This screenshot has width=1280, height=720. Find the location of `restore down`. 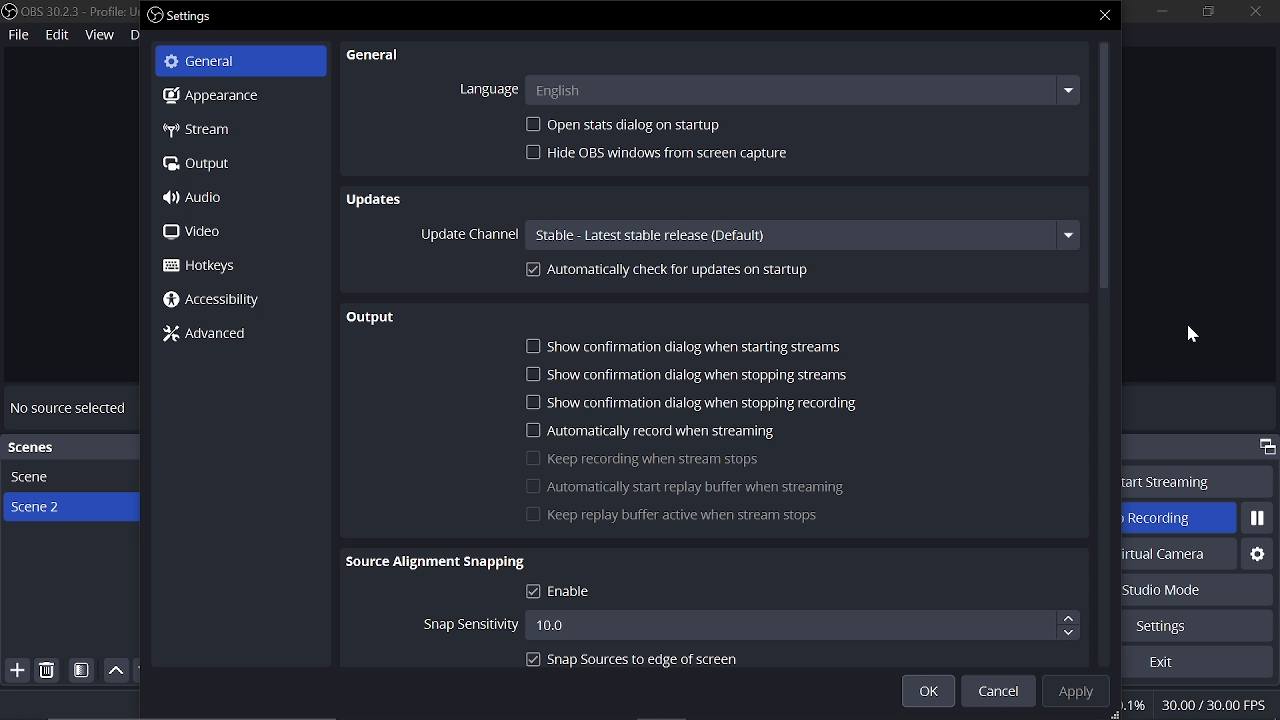

restore down is located at coordinates (1204, 11).